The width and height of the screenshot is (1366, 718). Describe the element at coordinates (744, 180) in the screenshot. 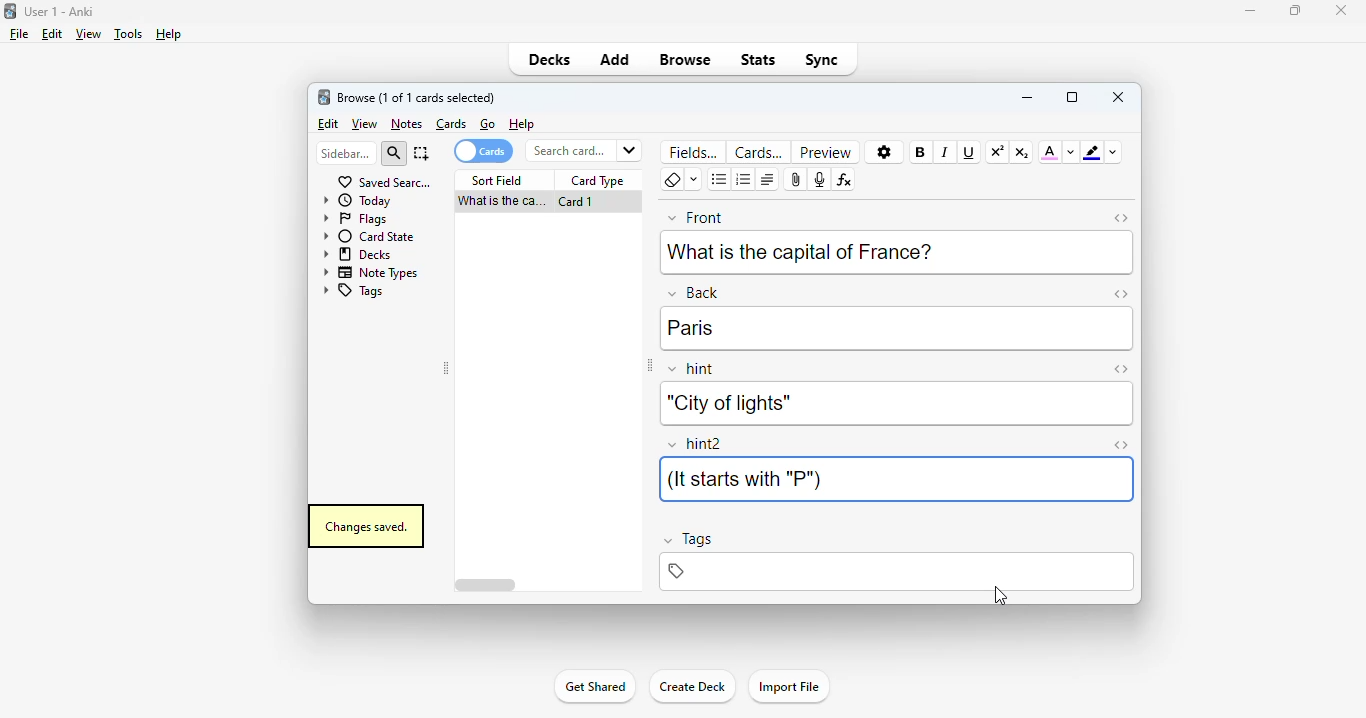

I see `ordered list` at that location.